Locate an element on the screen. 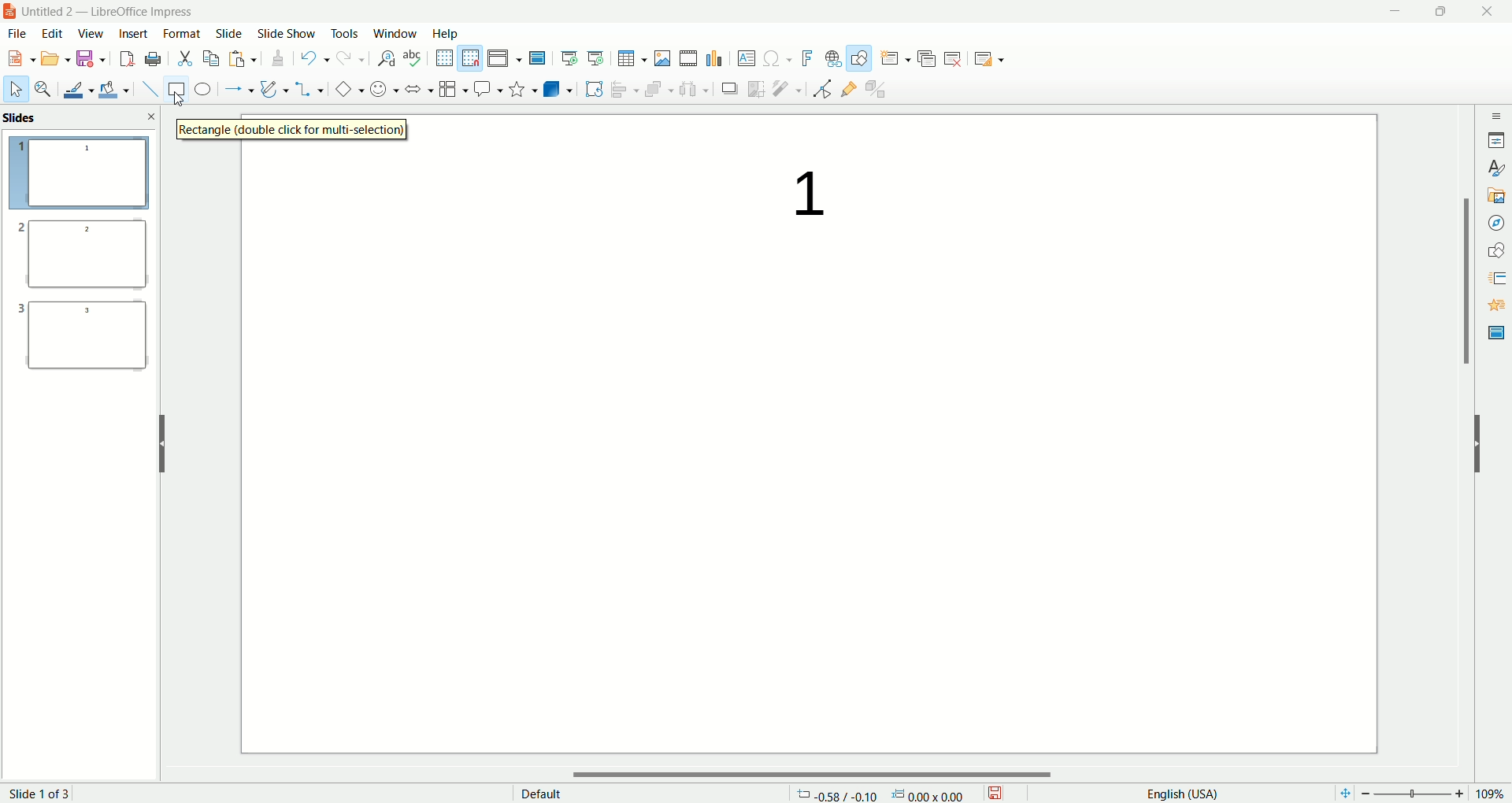 Image resolution: width=1512 pixels, height=803 pixels. line color is located at coordinates (75, 89).